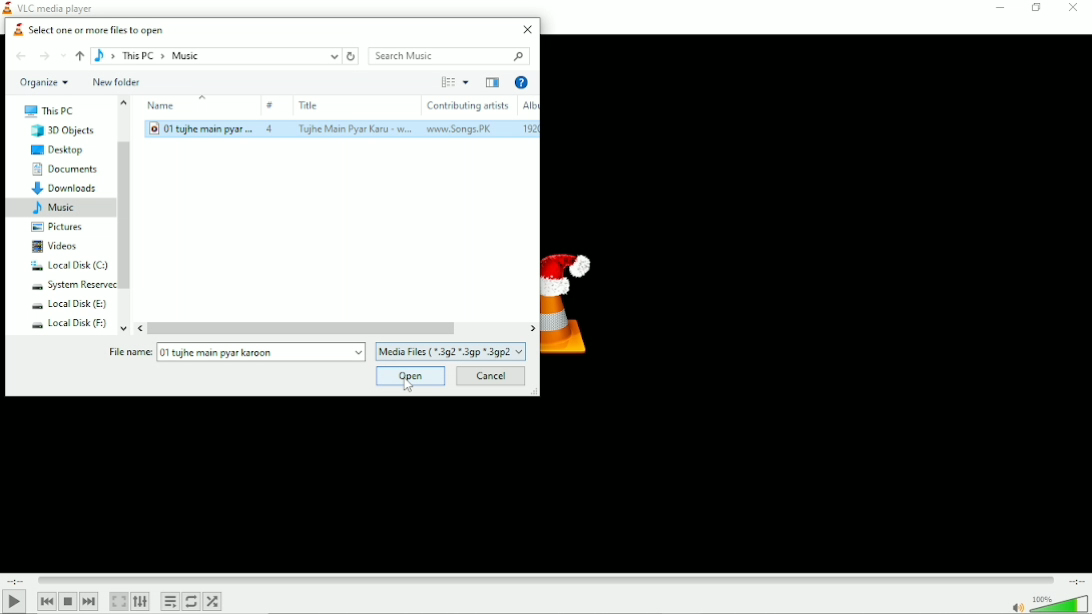 The height and width of the screenshot is (614, 1092). I want to click on Minimize, so click(1001, 8).